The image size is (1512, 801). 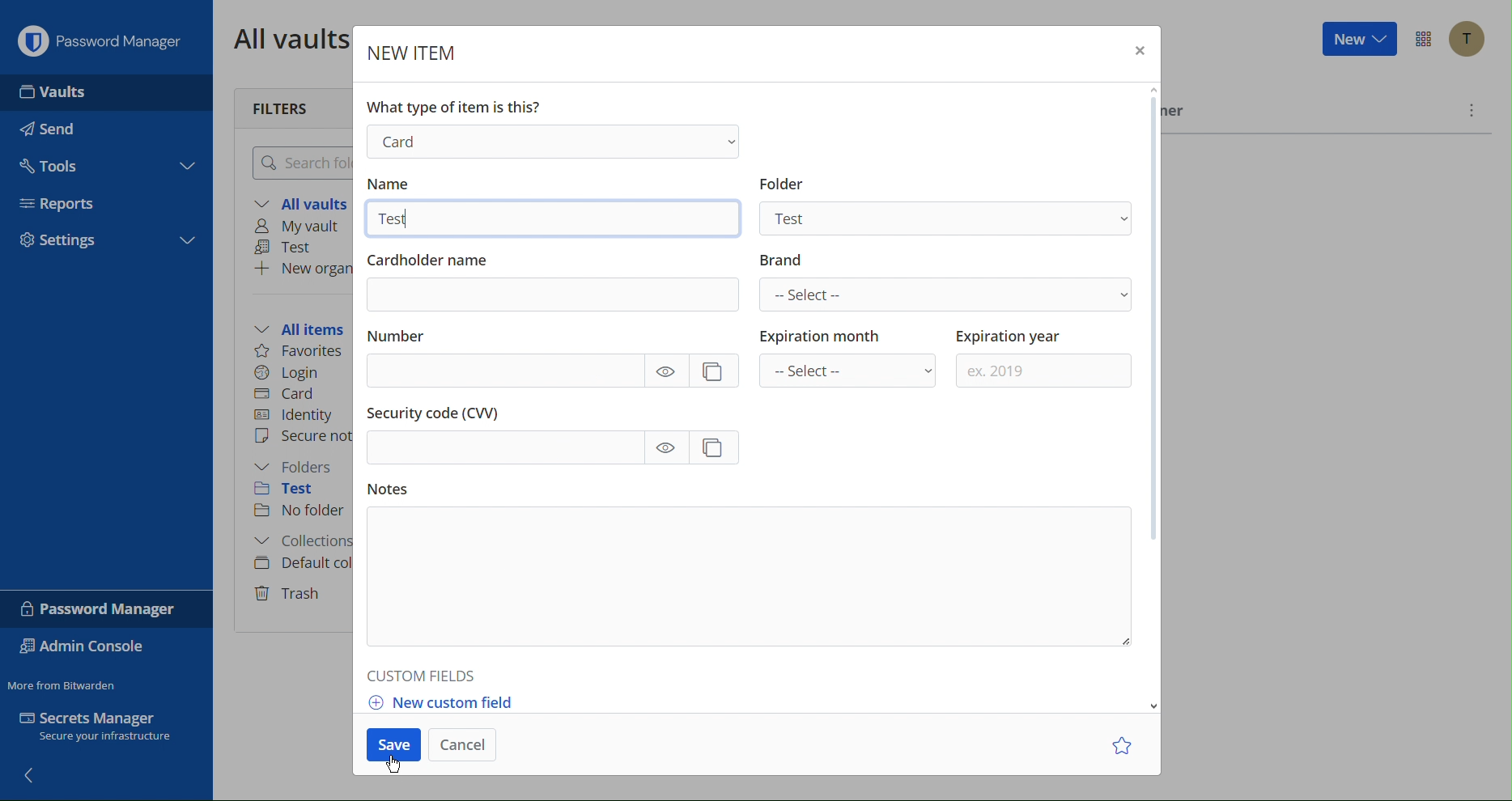 What do you see at coordinates (301, 269) in the screenshot?
I see `New organization` at bounding box center [301, 269].